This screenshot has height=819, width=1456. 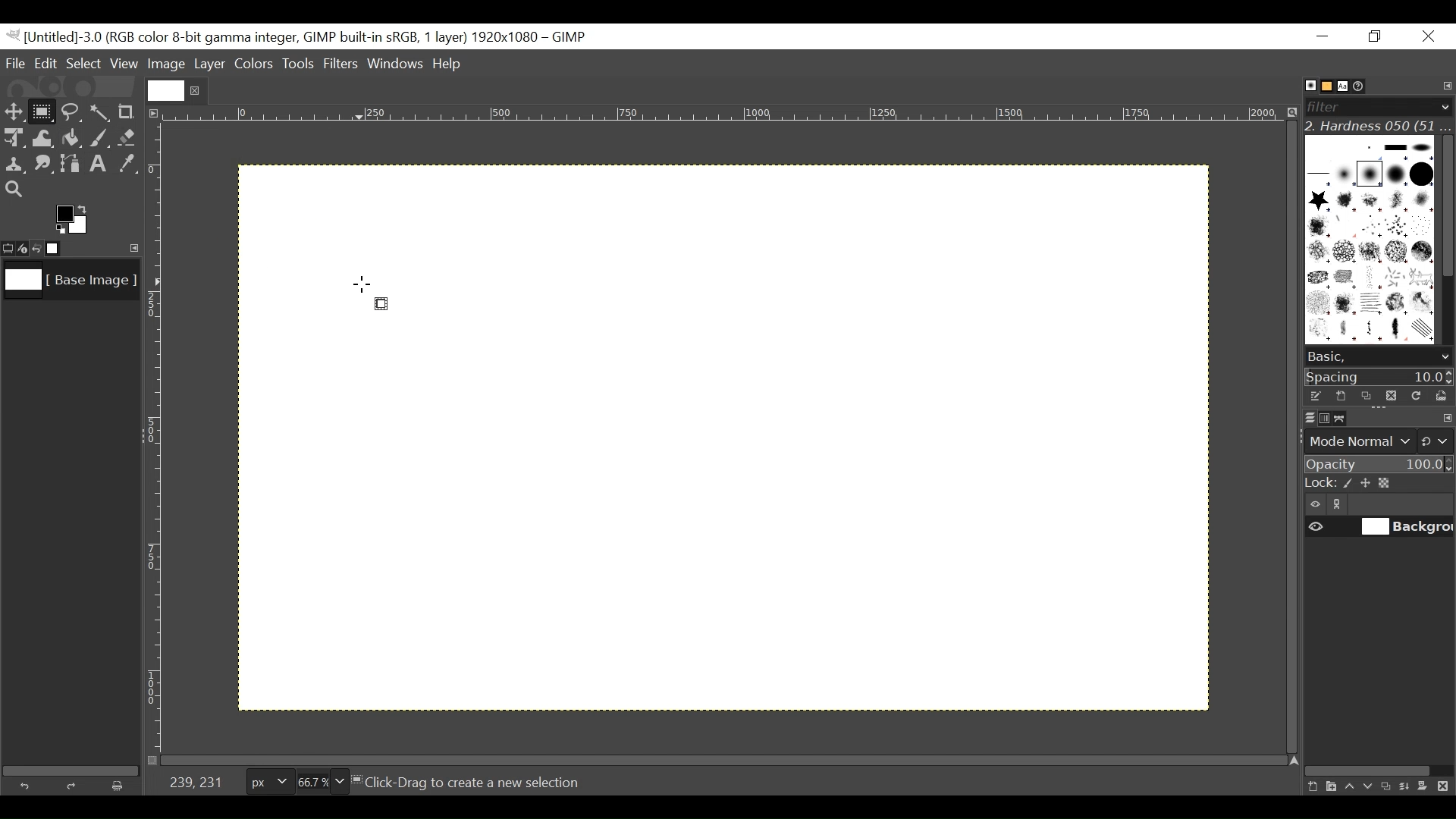 What do you see at coordinates (14, 188) in the screenshot?
I see `Zoom tool` at bounding box center [14, 188].